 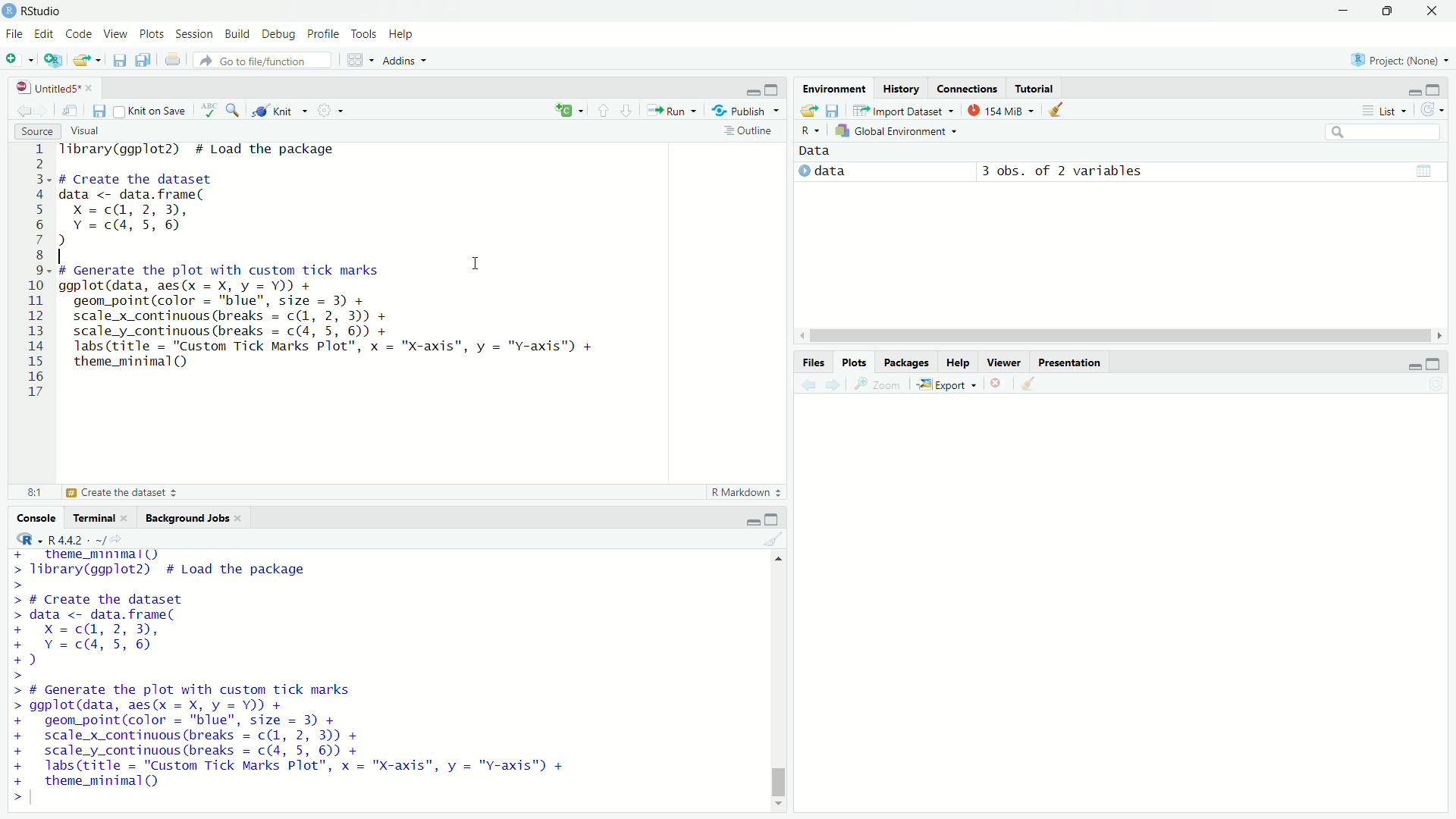 What do you see at coordinates (1442, 88) in the screenshot?
I see `maximize` at bounding box center [1442, 88].